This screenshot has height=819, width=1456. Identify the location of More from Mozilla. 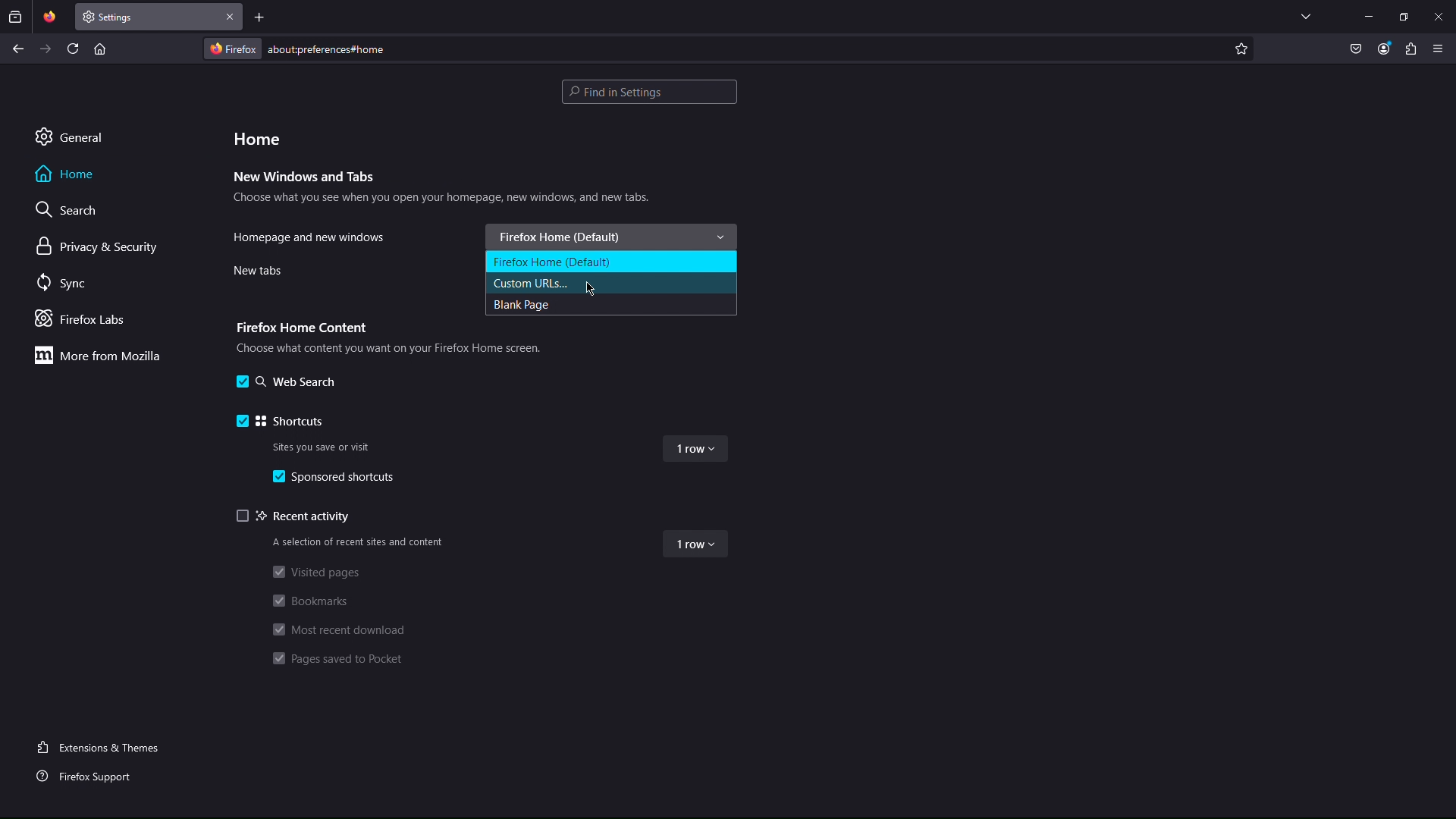
(96, 355).